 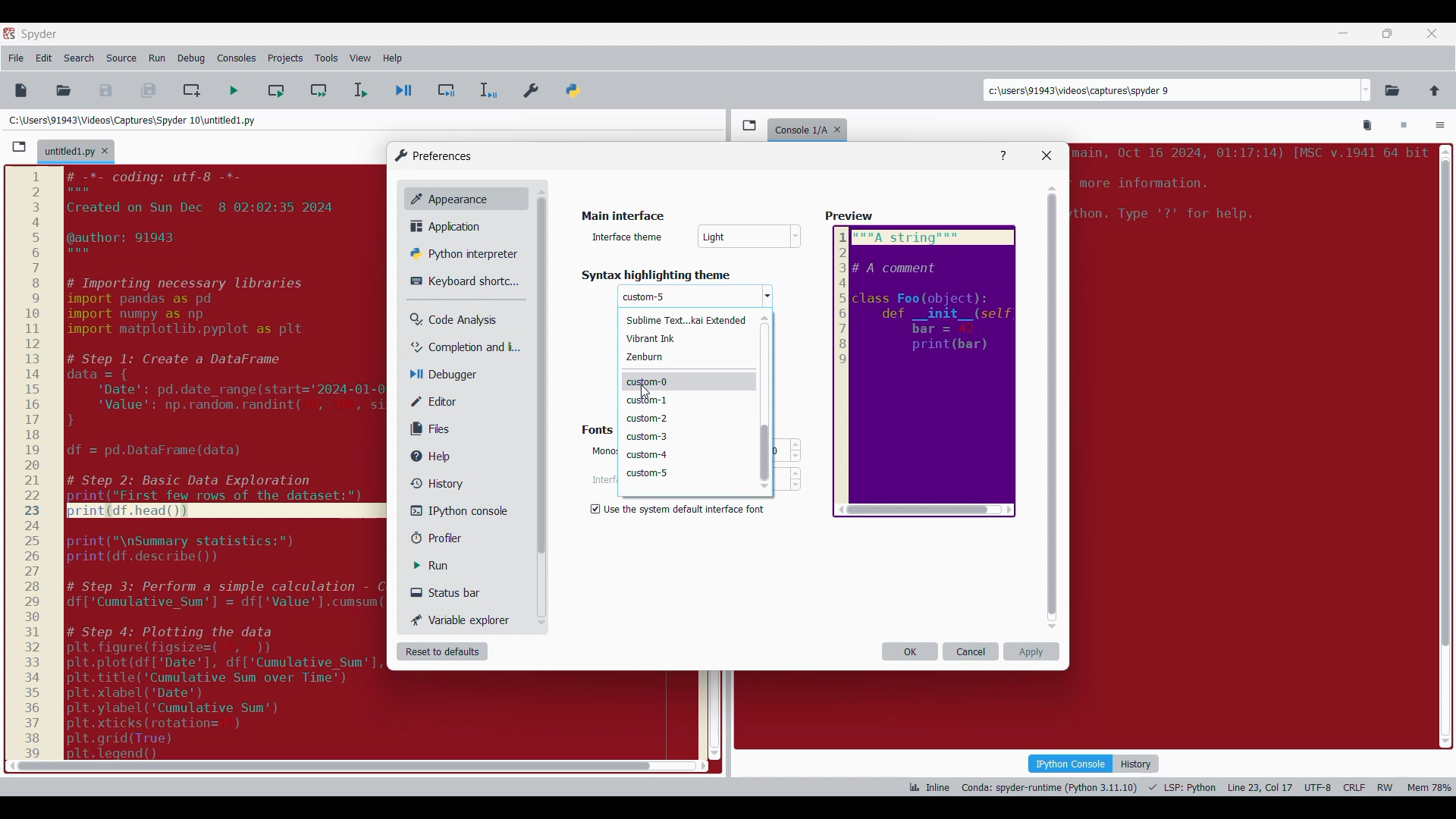 I want to click on Minimize, so click(x=1344, y=33).